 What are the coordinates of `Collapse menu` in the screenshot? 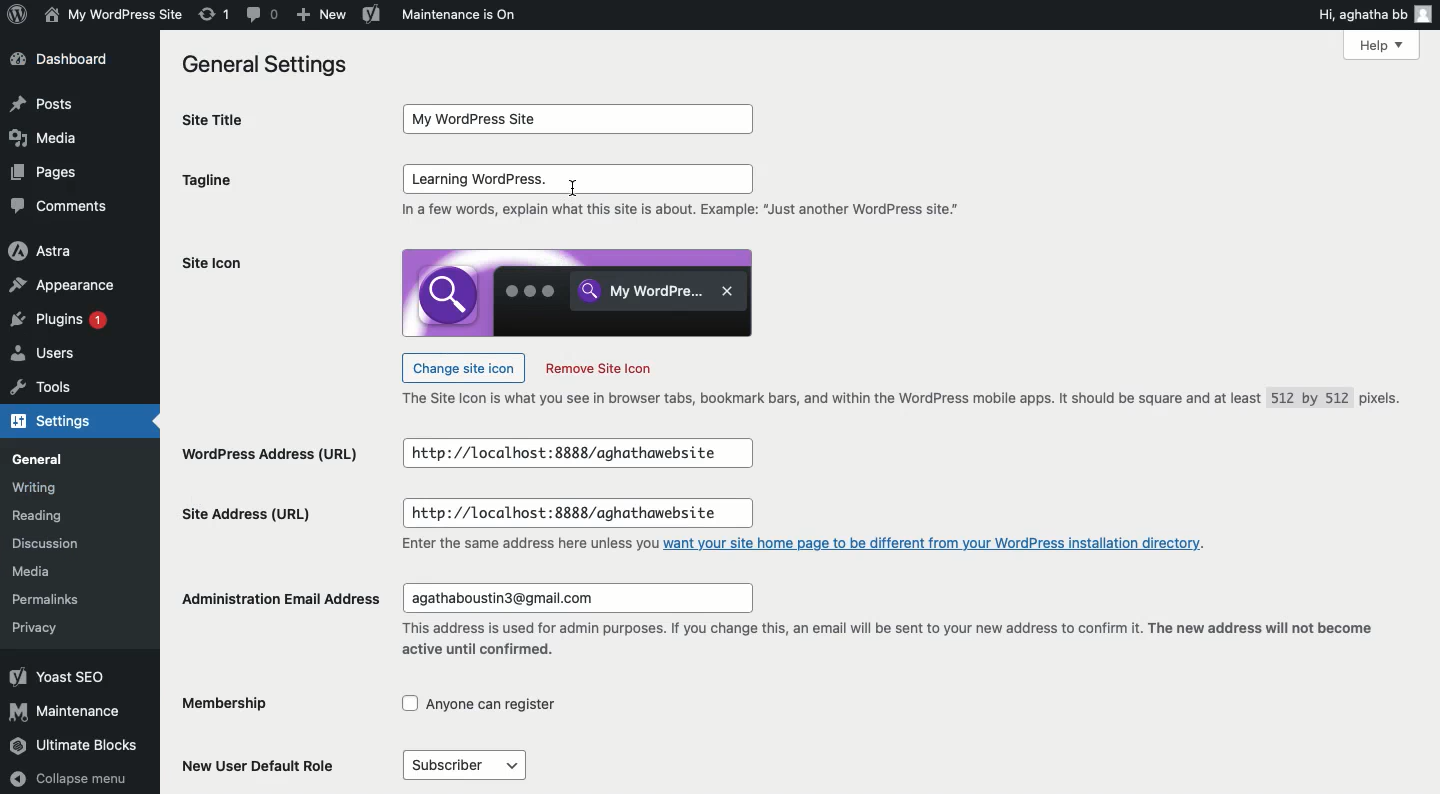 It's located at (71, 779).